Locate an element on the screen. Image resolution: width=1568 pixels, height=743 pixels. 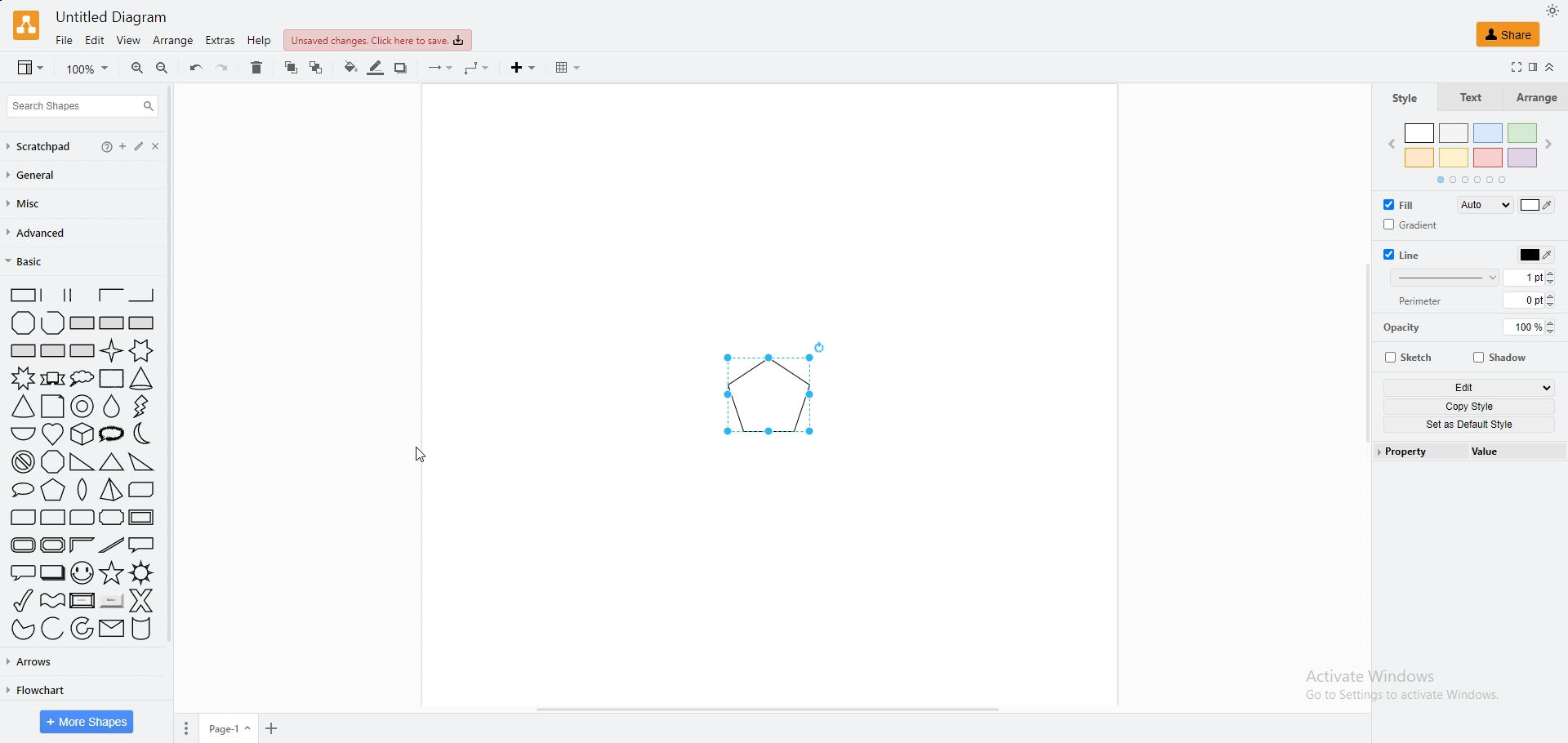
draw.io logo is located at coordinates (28, 24).